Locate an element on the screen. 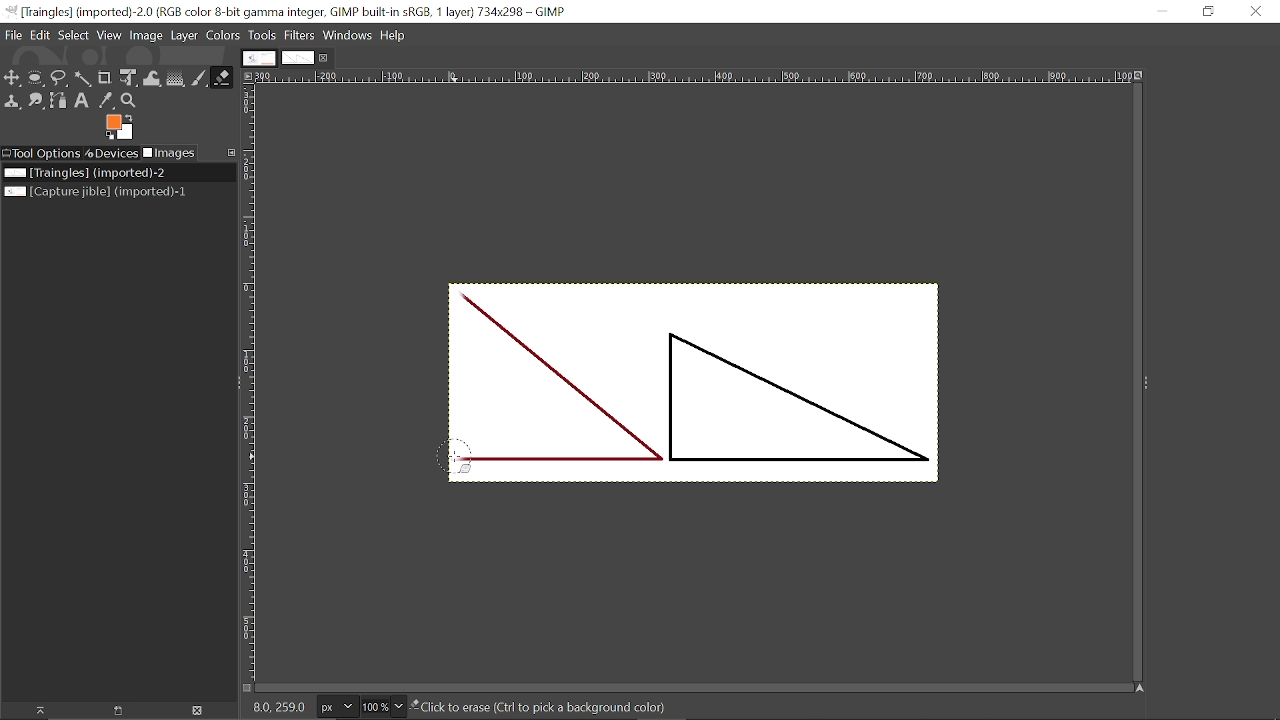 This screenshot has width=1280, height=720. Quck toggle mask on/off is located at coordinates (245, 690).